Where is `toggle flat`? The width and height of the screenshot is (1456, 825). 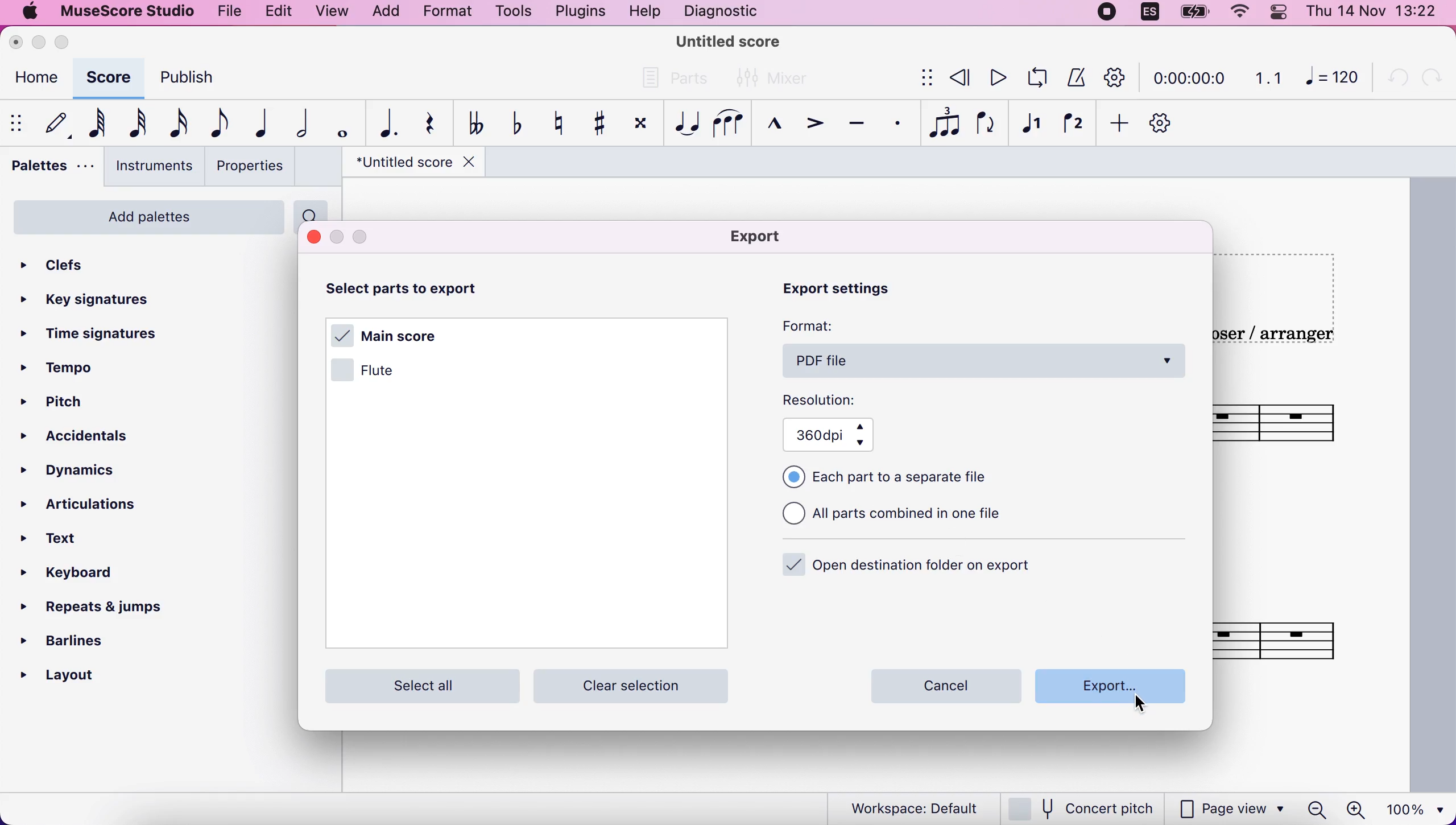 toggle flat is located at coordinates (514, 124).